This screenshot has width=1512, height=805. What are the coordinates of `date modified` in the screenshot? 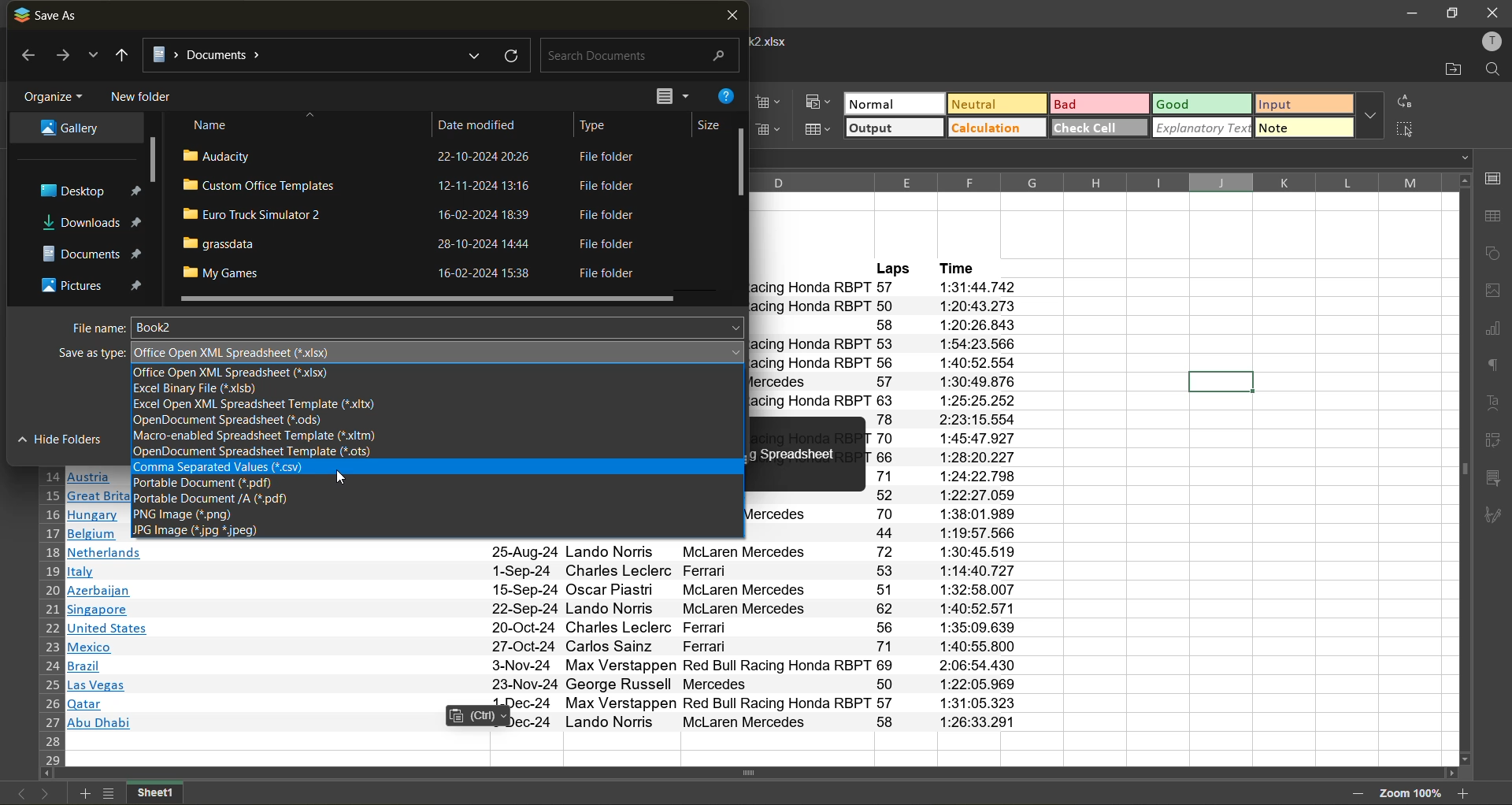 It's located at (487, 122).